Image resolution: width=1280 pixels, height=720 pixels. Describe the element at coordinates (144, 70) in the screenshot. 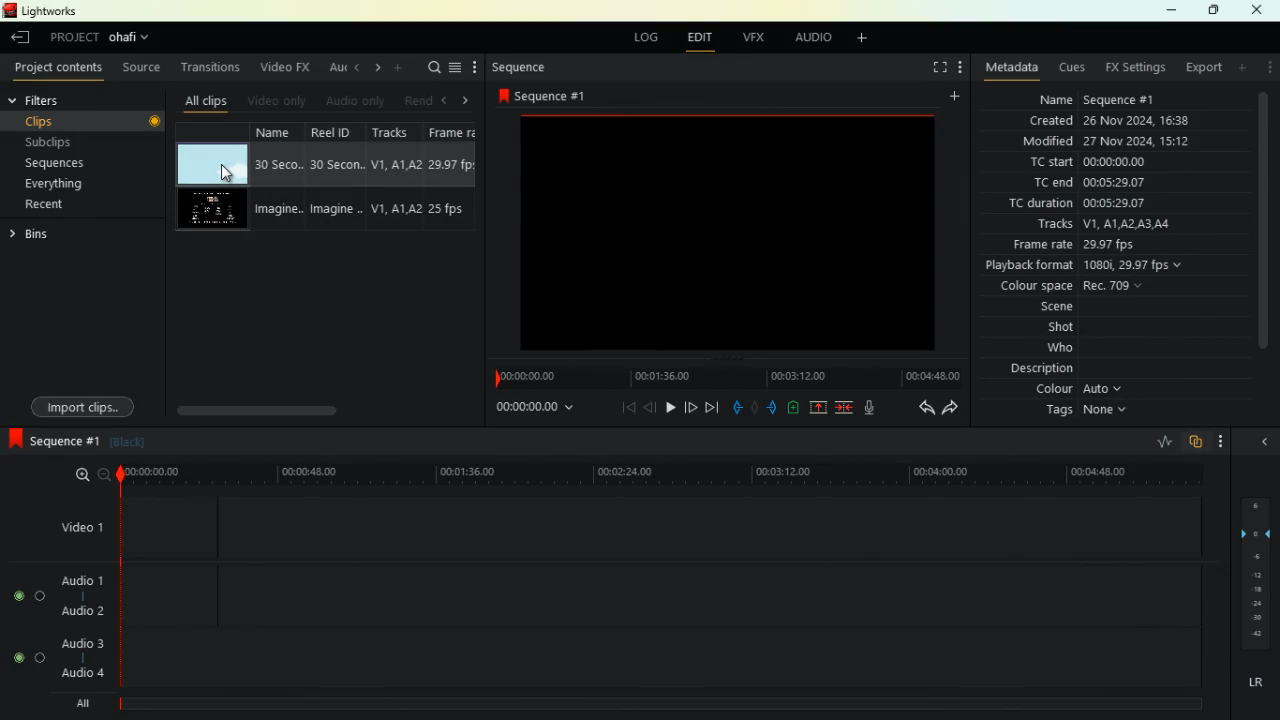

I see `source` at that location.